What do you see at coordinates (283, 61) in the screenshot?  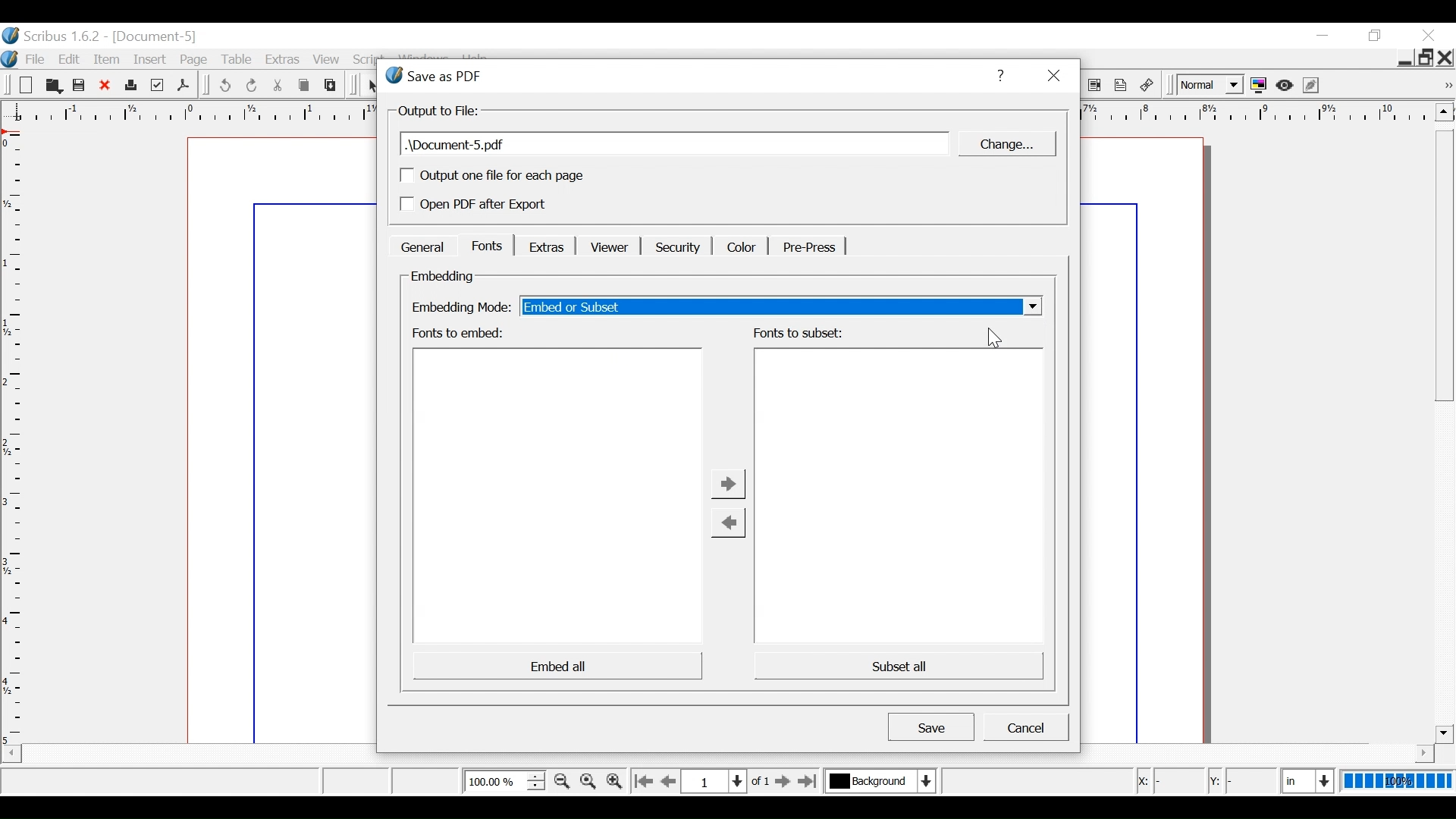 I see `Extras` at bounding box center [283, 61].